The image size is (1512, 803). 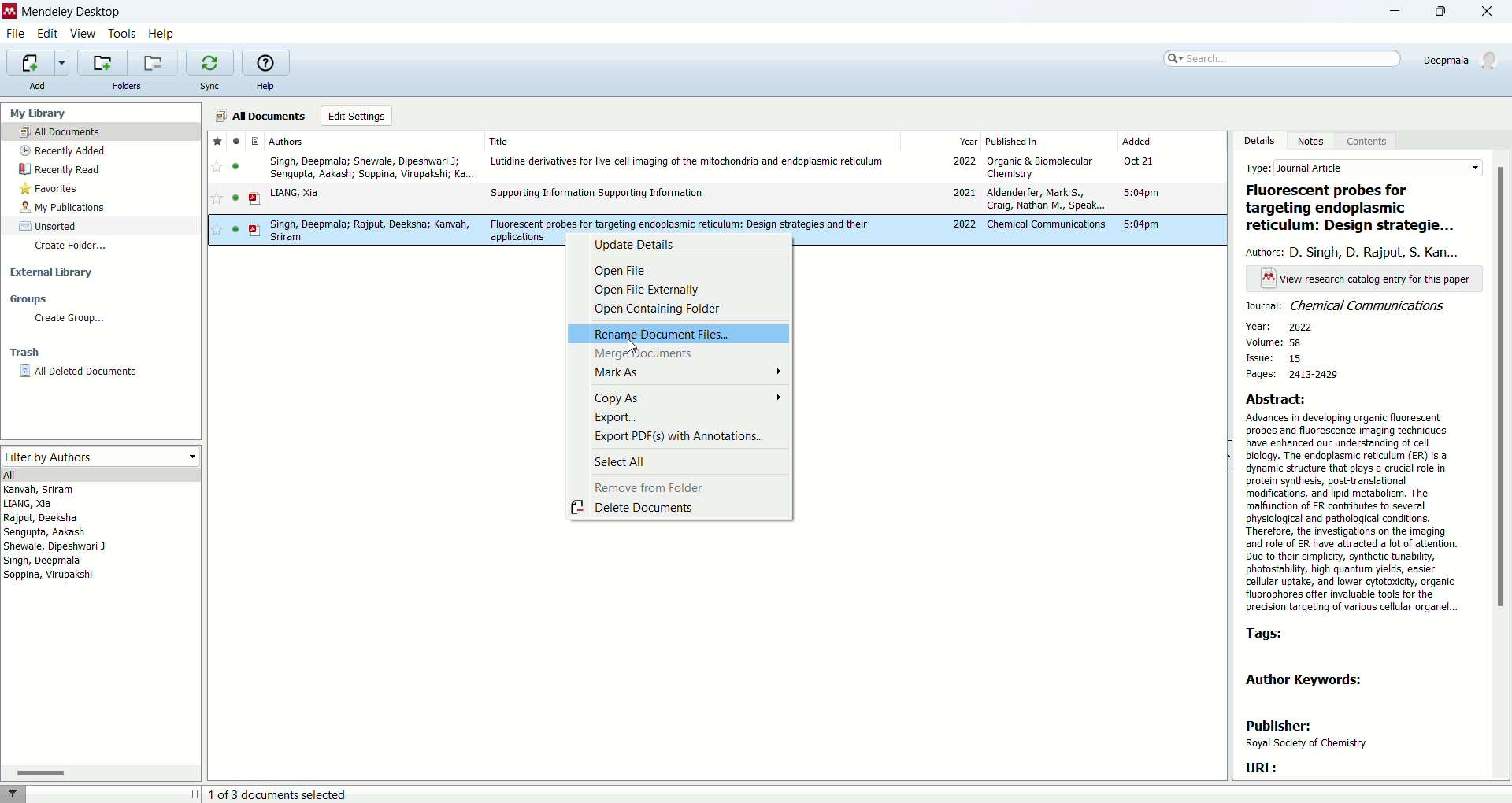 What do you see at coordinates (1041, 167) in the screenshot?
I see `Organic & Biomolecular Chemistry` at bounding box center [1041, 167].